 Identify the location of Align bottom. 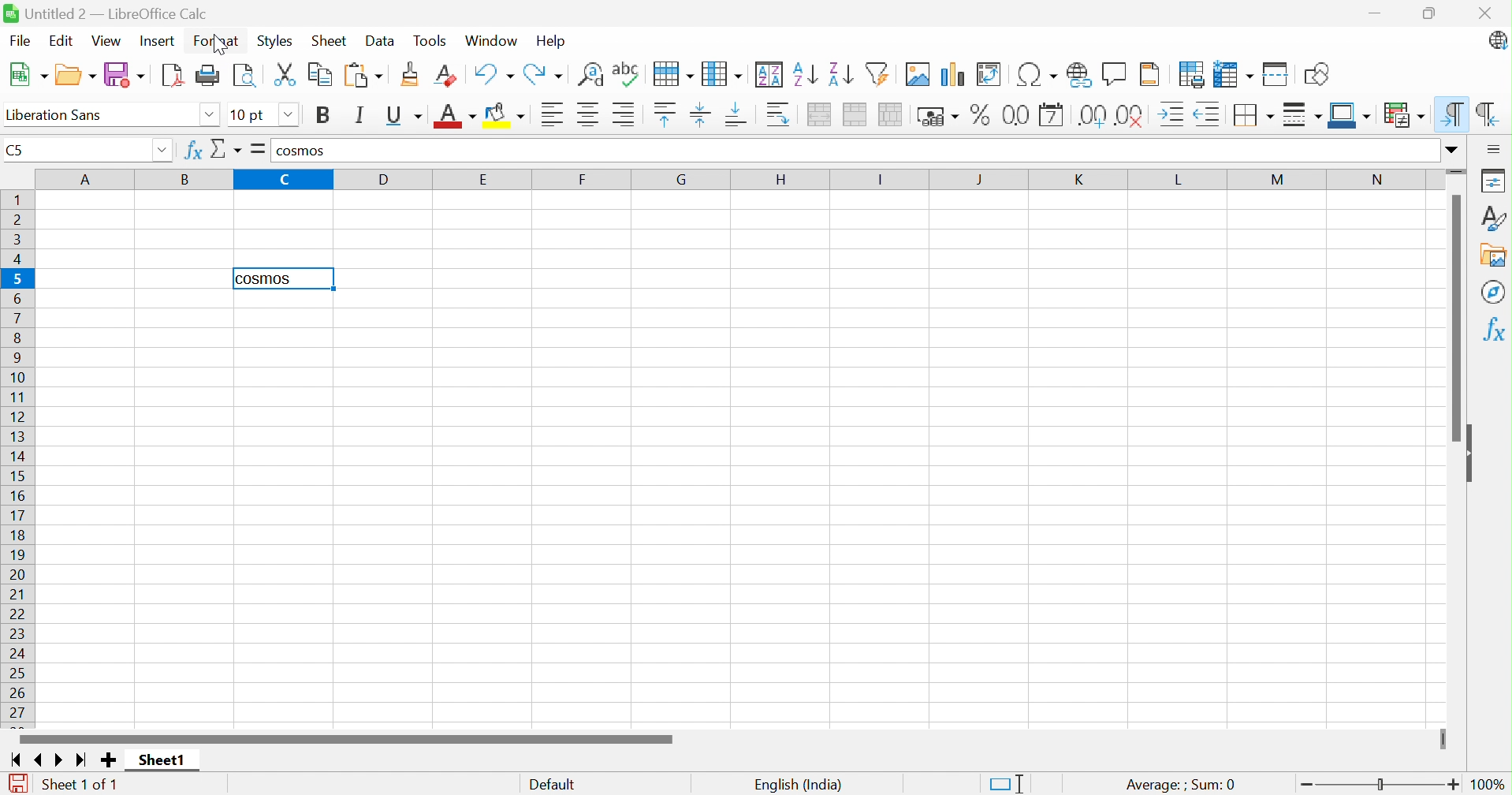
(736, 114).